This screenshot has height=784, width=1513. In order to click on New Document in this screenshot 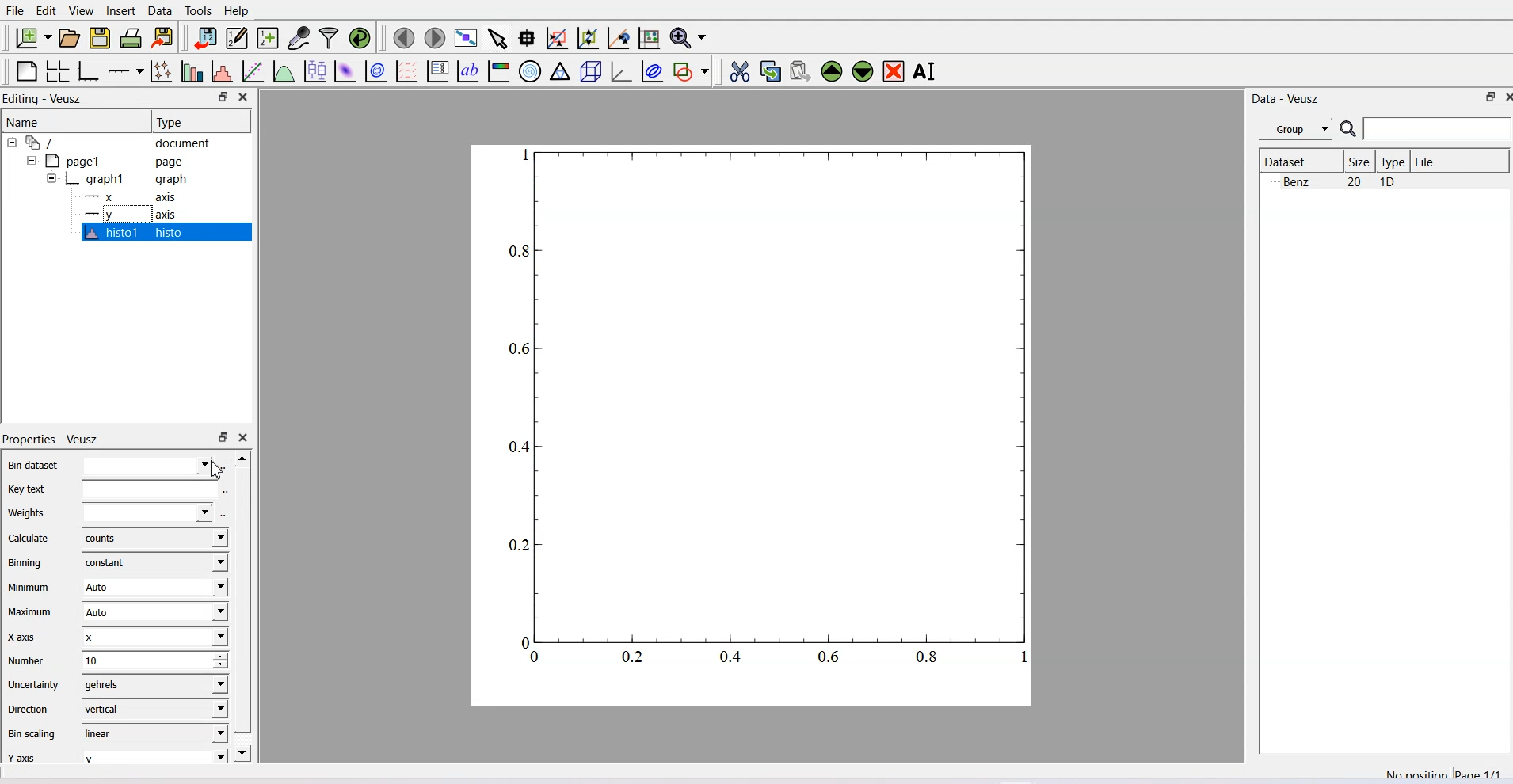, I will do `click(32, 37)`.